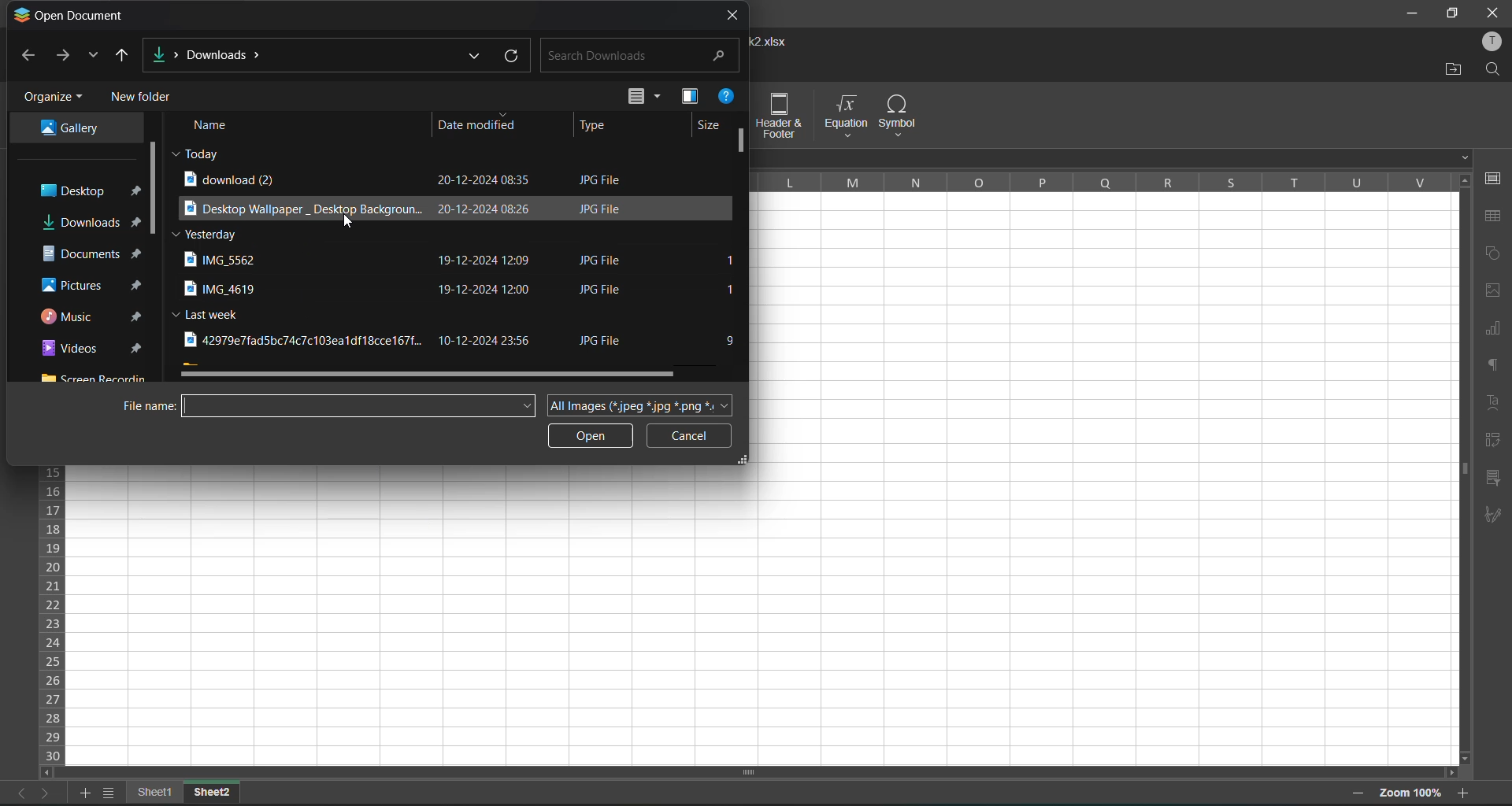 This screenshot has height=806, width=1512. What do you see at coordinates (1495, 179) in the screenshot?
I see `cell settings` at bounding box center [1495, 179].